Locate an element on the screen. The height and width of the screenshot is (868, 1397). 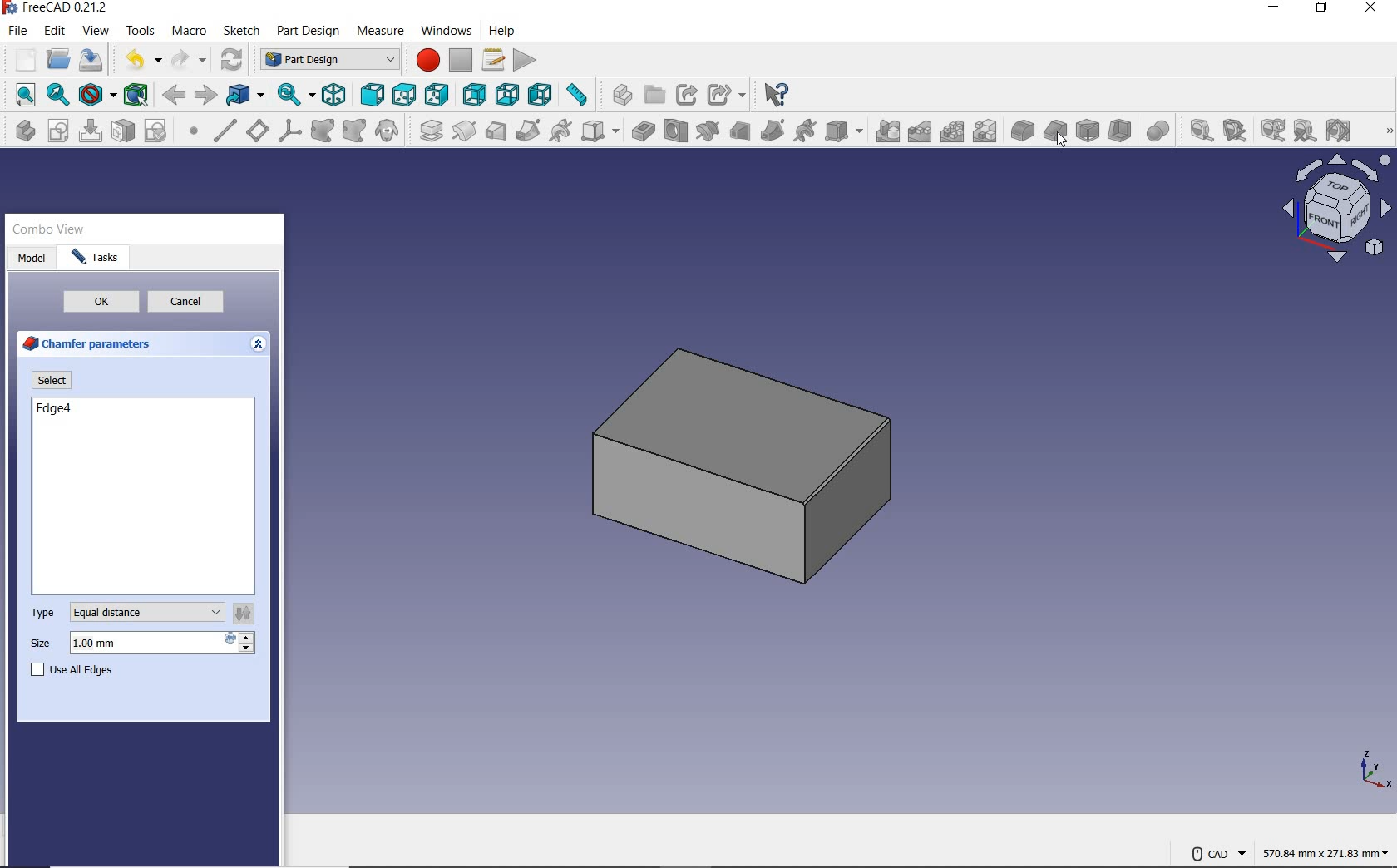
save is located at coordinates (91, 60).